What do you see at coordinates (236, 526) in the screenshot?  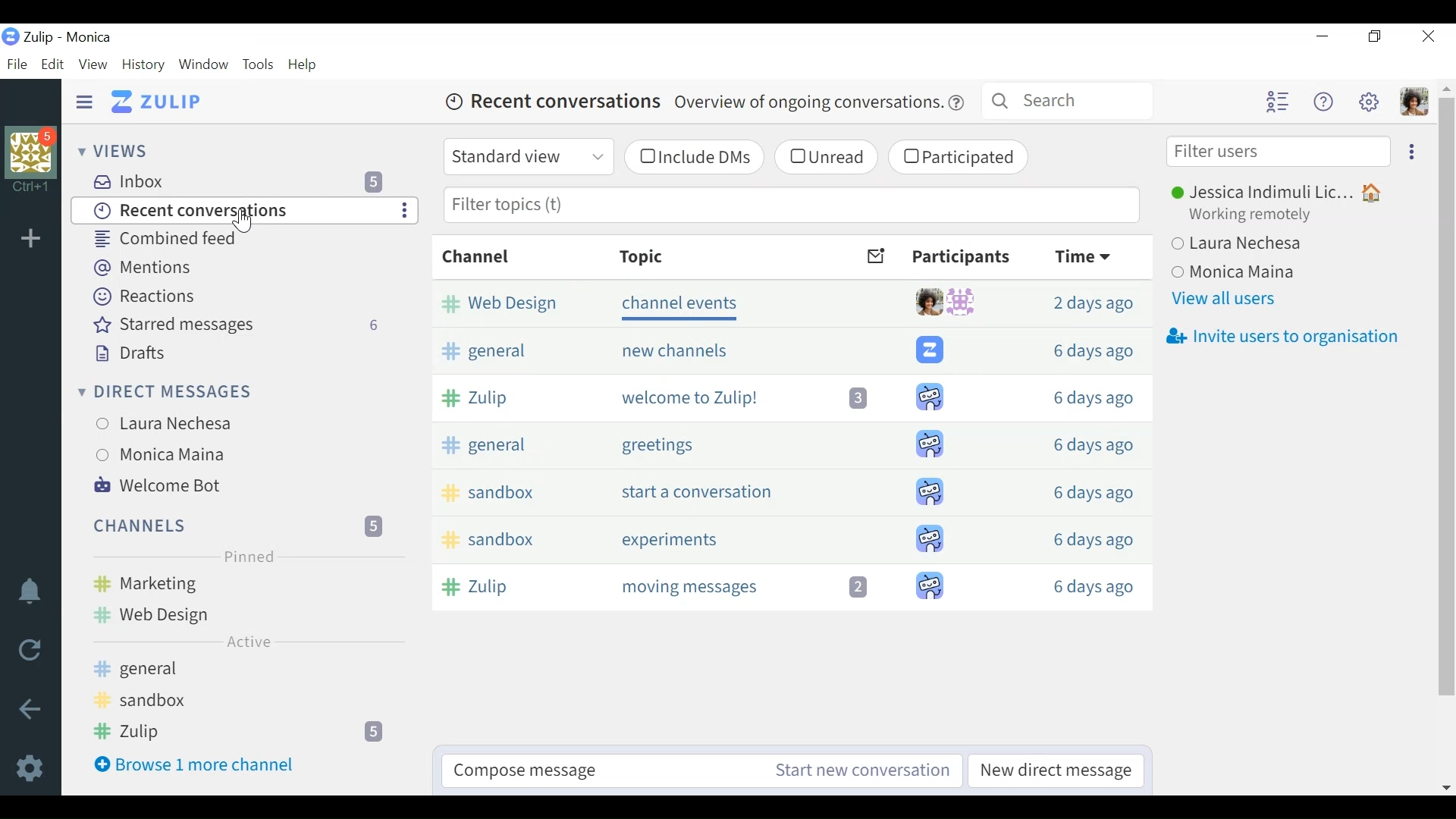 I see `Channels` at bounding box center [236, 526].